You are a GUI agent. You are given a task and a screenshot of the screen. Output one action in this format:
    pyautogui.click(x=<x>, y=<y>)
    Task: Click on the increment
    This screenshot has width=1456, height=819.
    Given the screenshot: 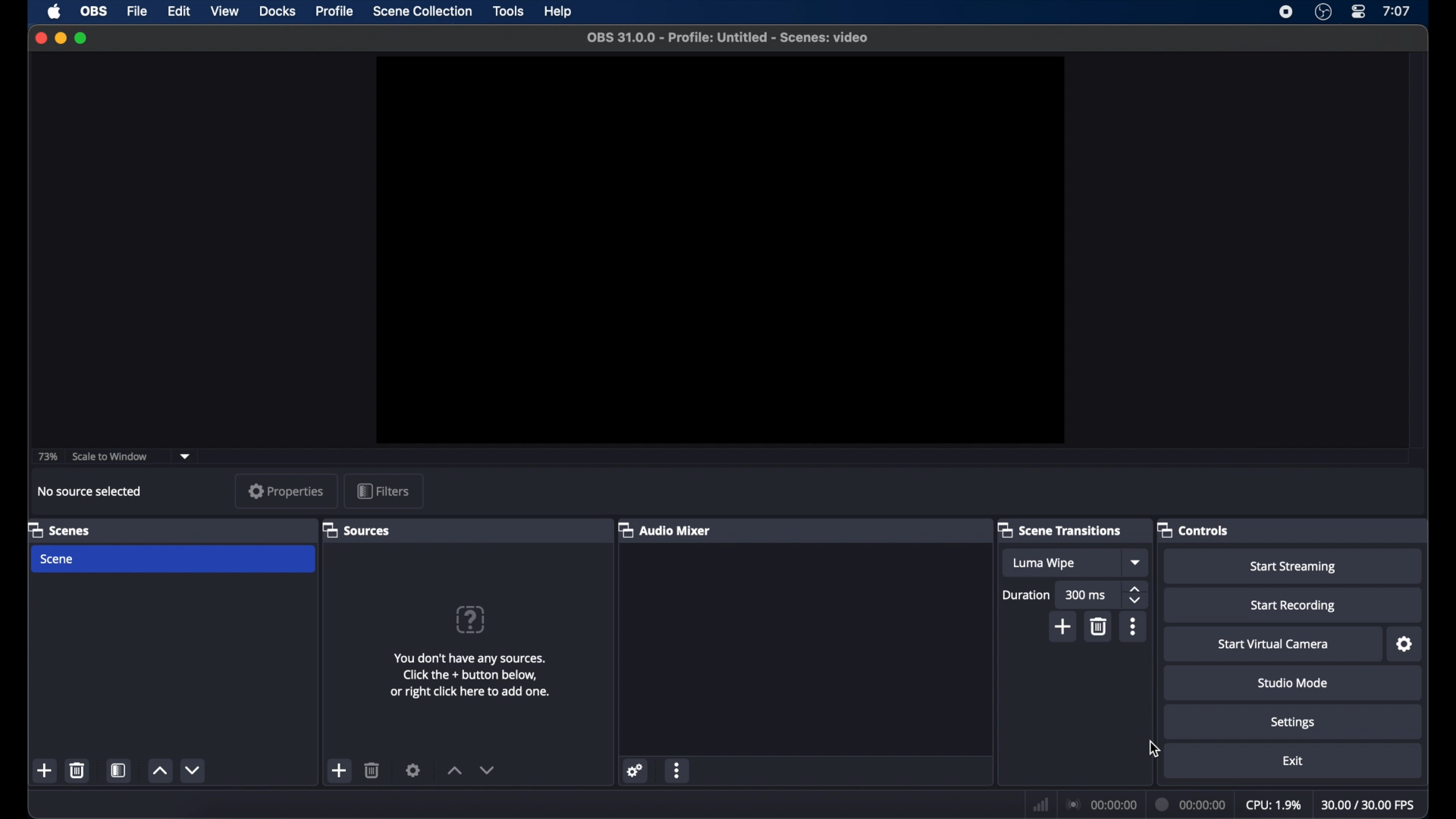 What is the action you would take?
    pyautogui.click(x=455, y=770)
    